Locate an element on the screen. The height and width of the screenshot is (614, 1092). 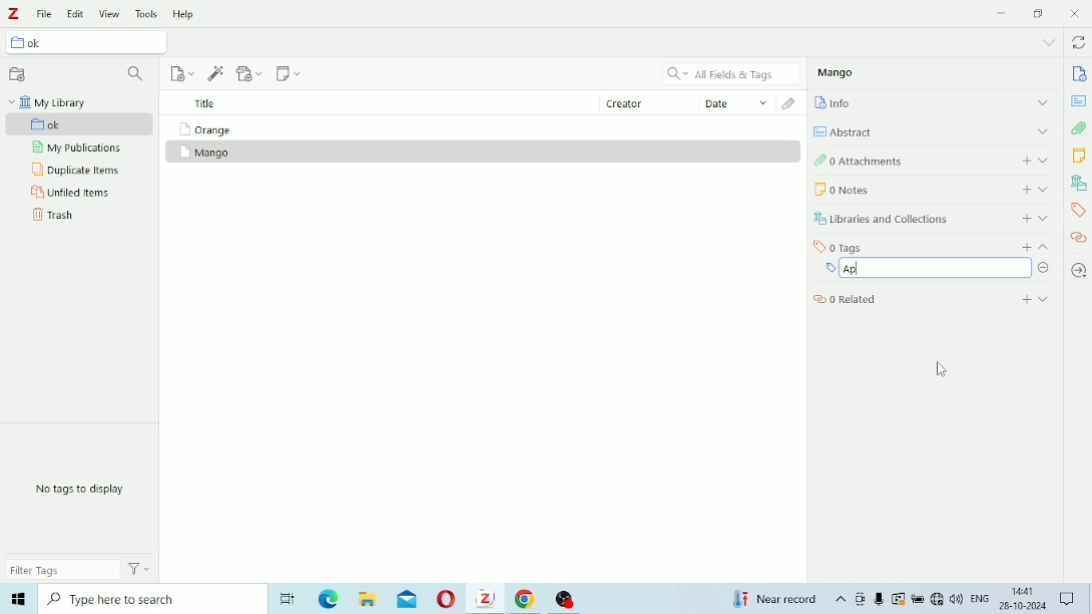
Libraries and Collections is located at coordinates (1078, 183).